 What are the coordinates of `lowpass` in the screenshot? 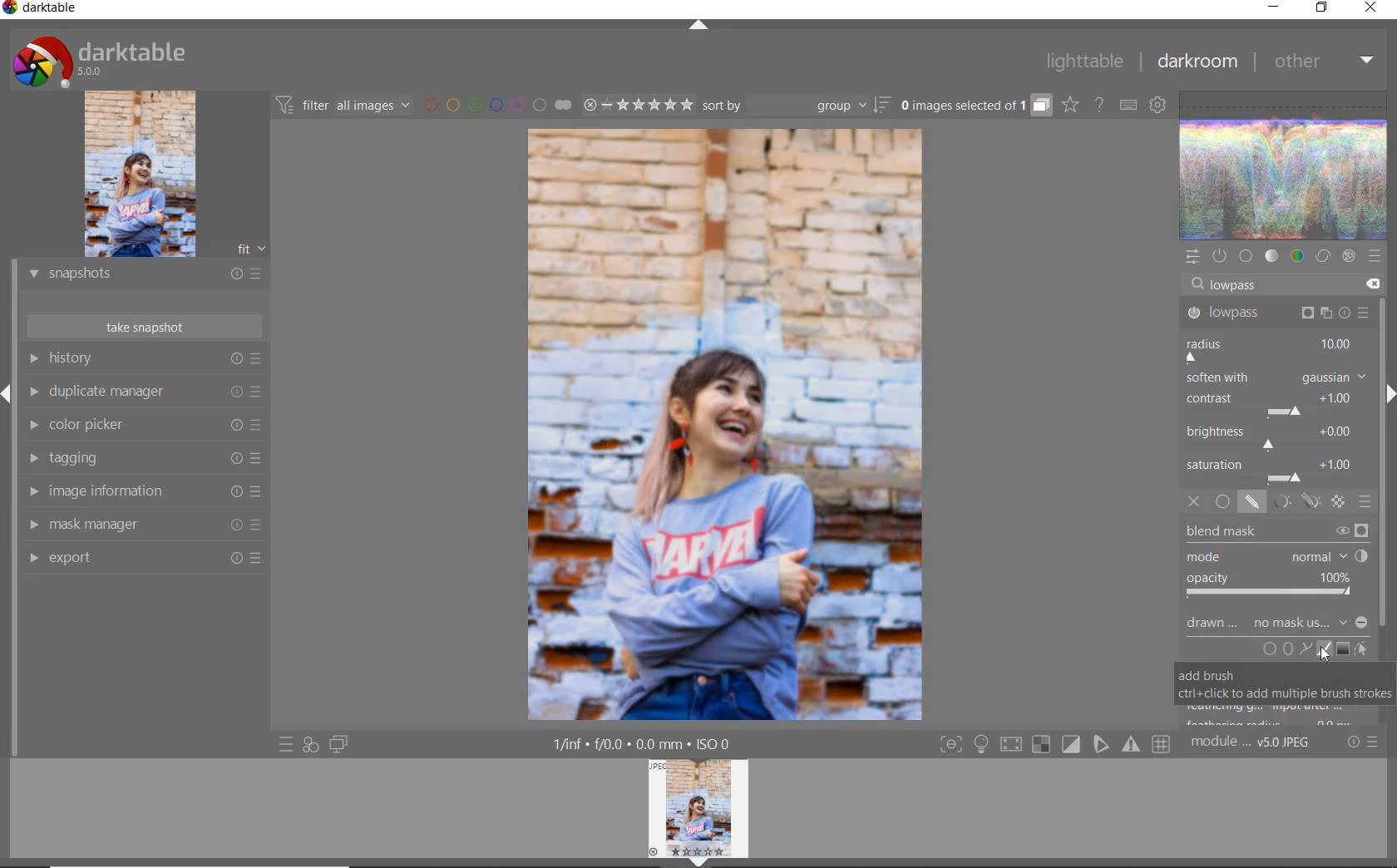 It's located at (1241, 286).